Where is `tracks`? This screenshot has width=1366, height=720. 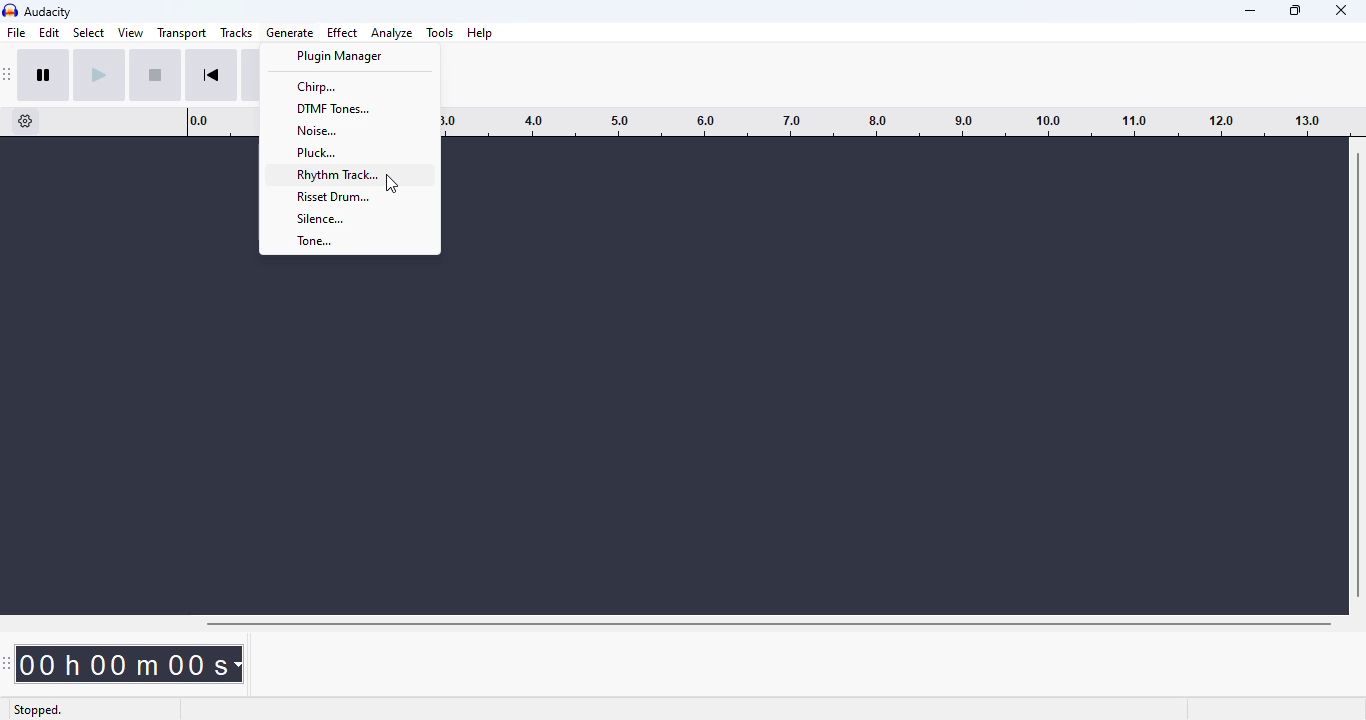
tracks is located at coordinates (236, 32).